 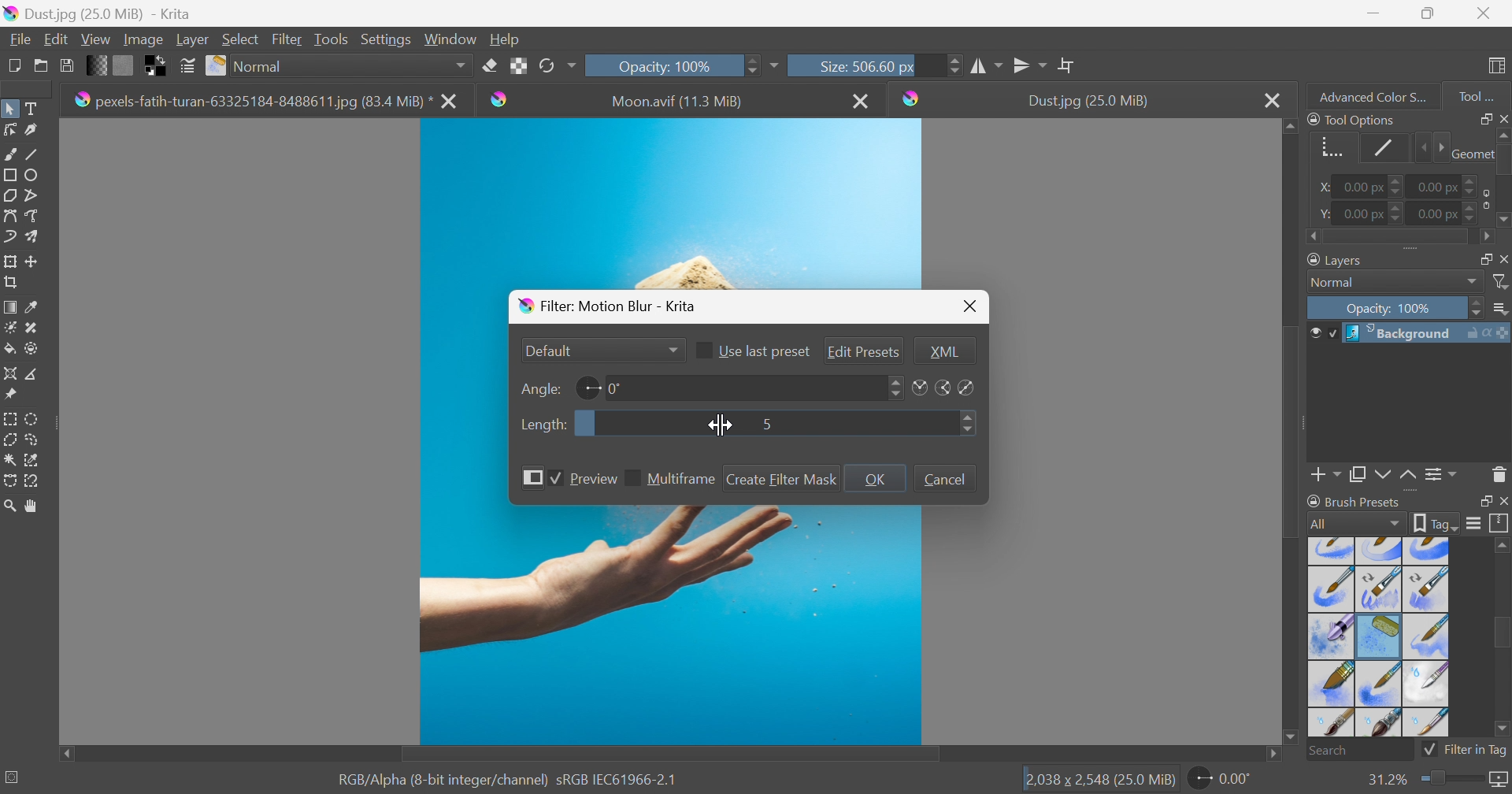 What do you see at coordinates (11, 460) in the screenshot?
I see `Bezier curve selection tool` at bounding box center [11, 460].